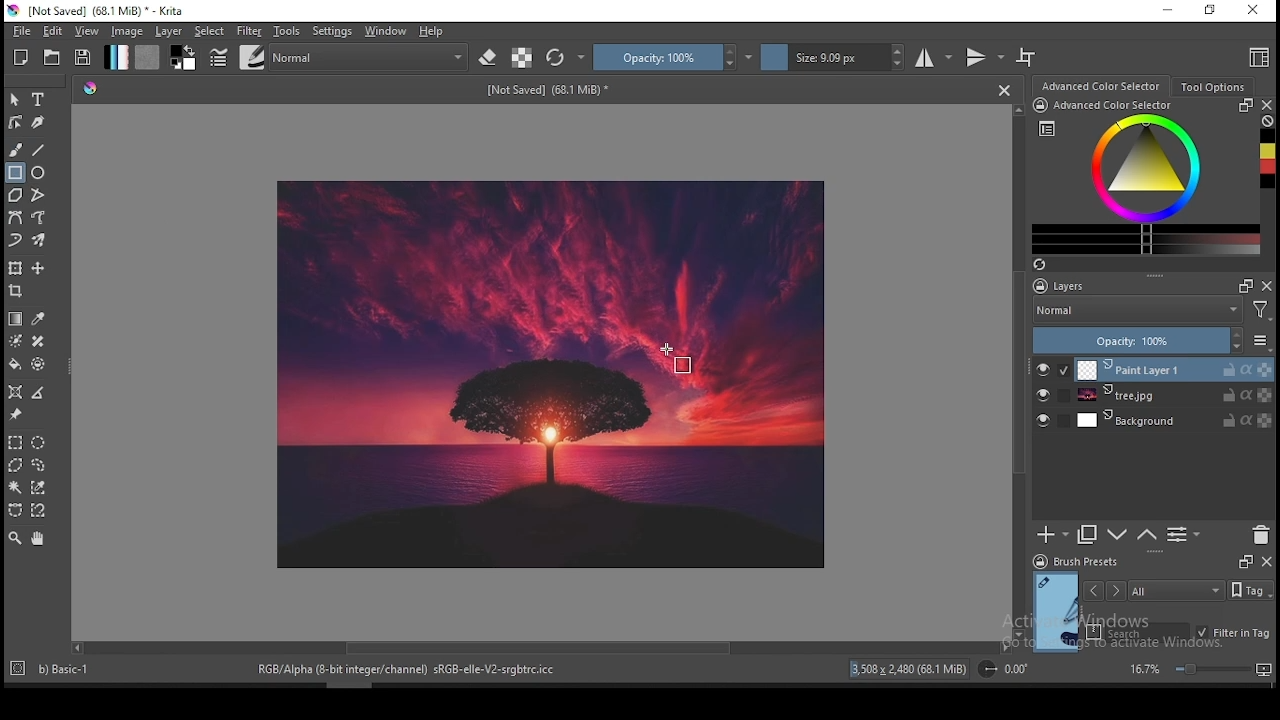 This screenshot has height=720, width=1280. I want to click on opacity, so click(673, 57).